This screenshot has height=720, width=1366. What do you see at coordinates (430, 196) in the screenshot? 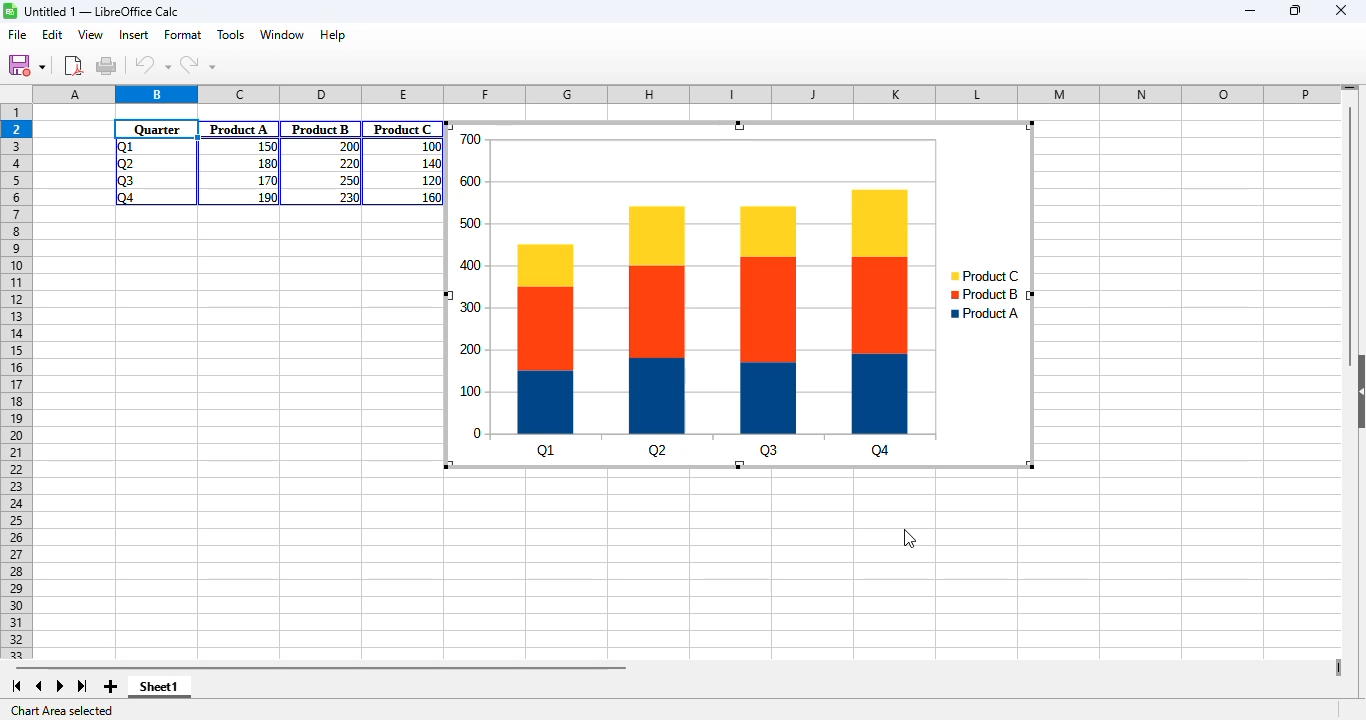
I see `160` at bounding box center [430, 196].